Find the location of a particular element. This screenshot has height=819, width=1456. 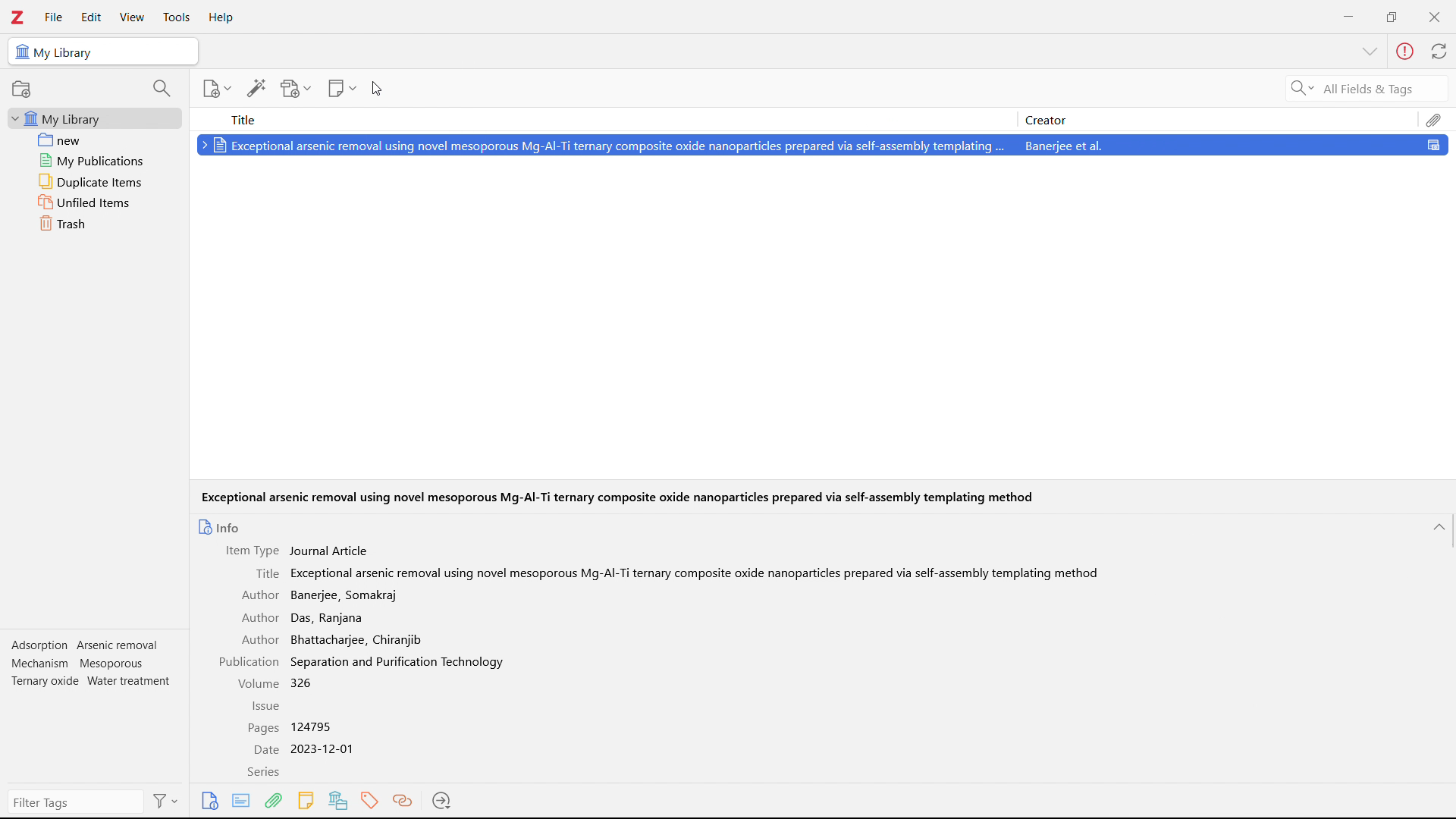

Separation and Purification
Technology is located at coordinates (400, 663).